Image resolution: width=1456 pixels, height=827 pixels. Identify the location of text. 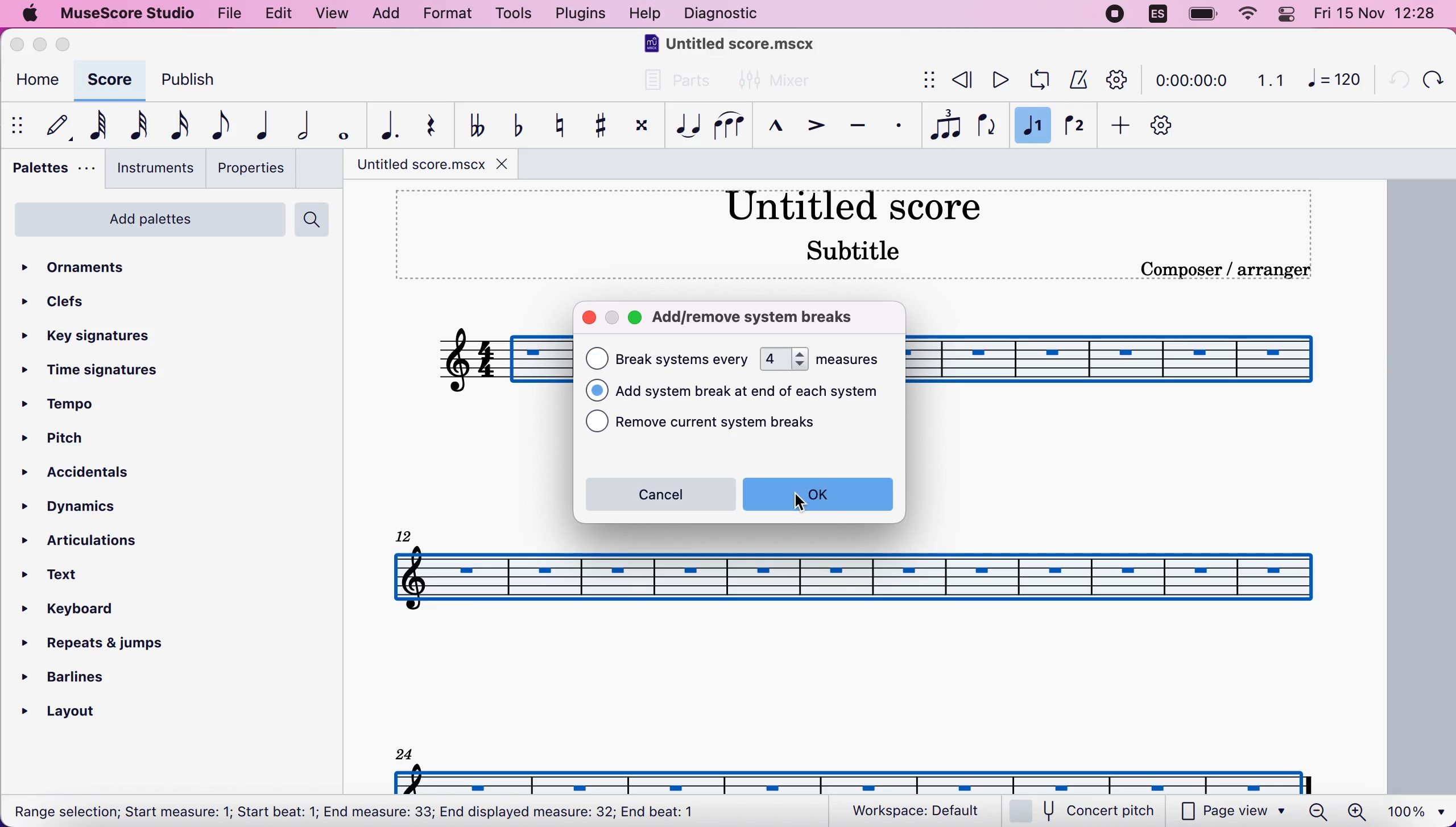
(684, 359).